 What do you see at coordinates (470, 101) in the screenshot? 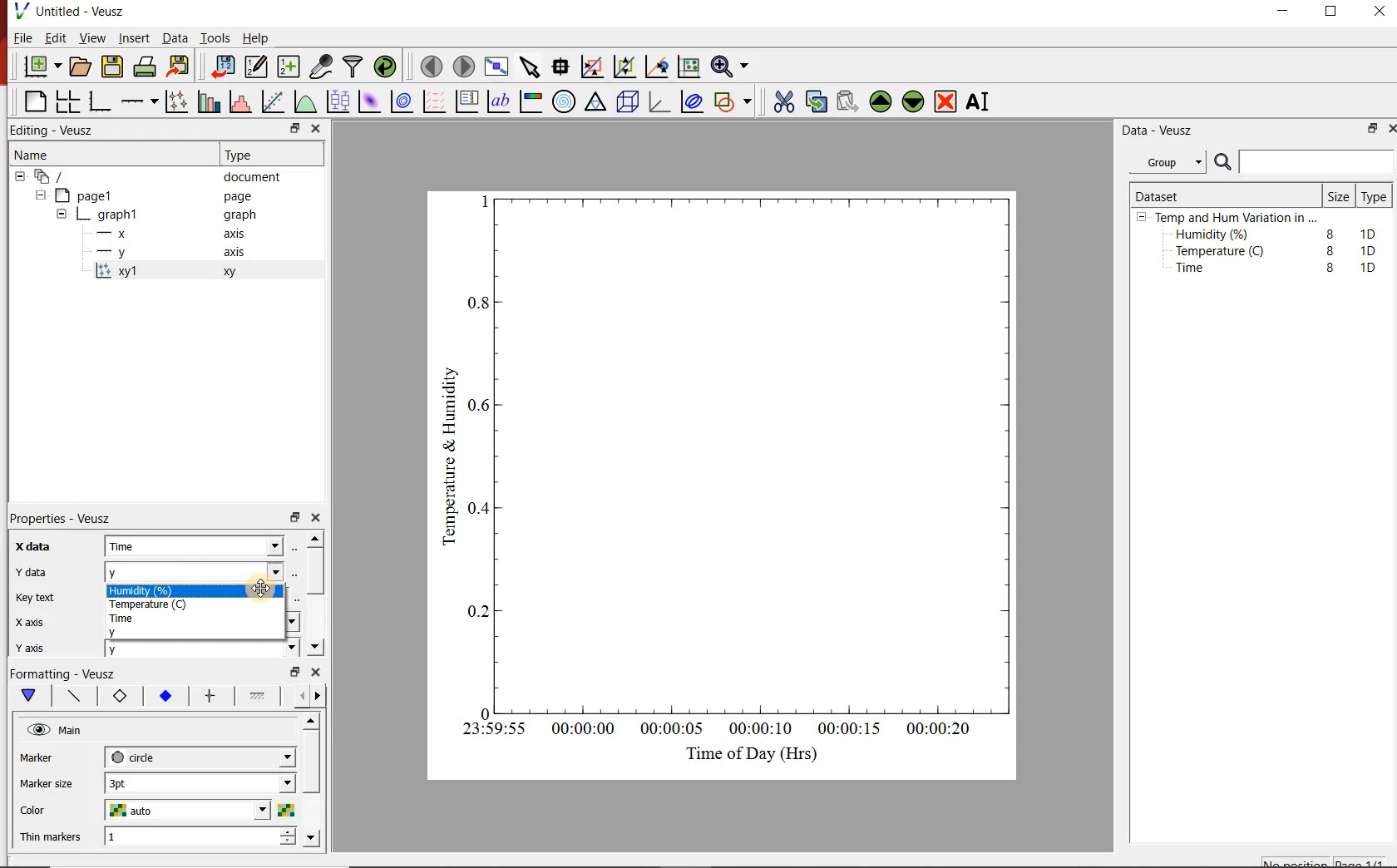
I see `plot key` at bounding box center [470, 101].